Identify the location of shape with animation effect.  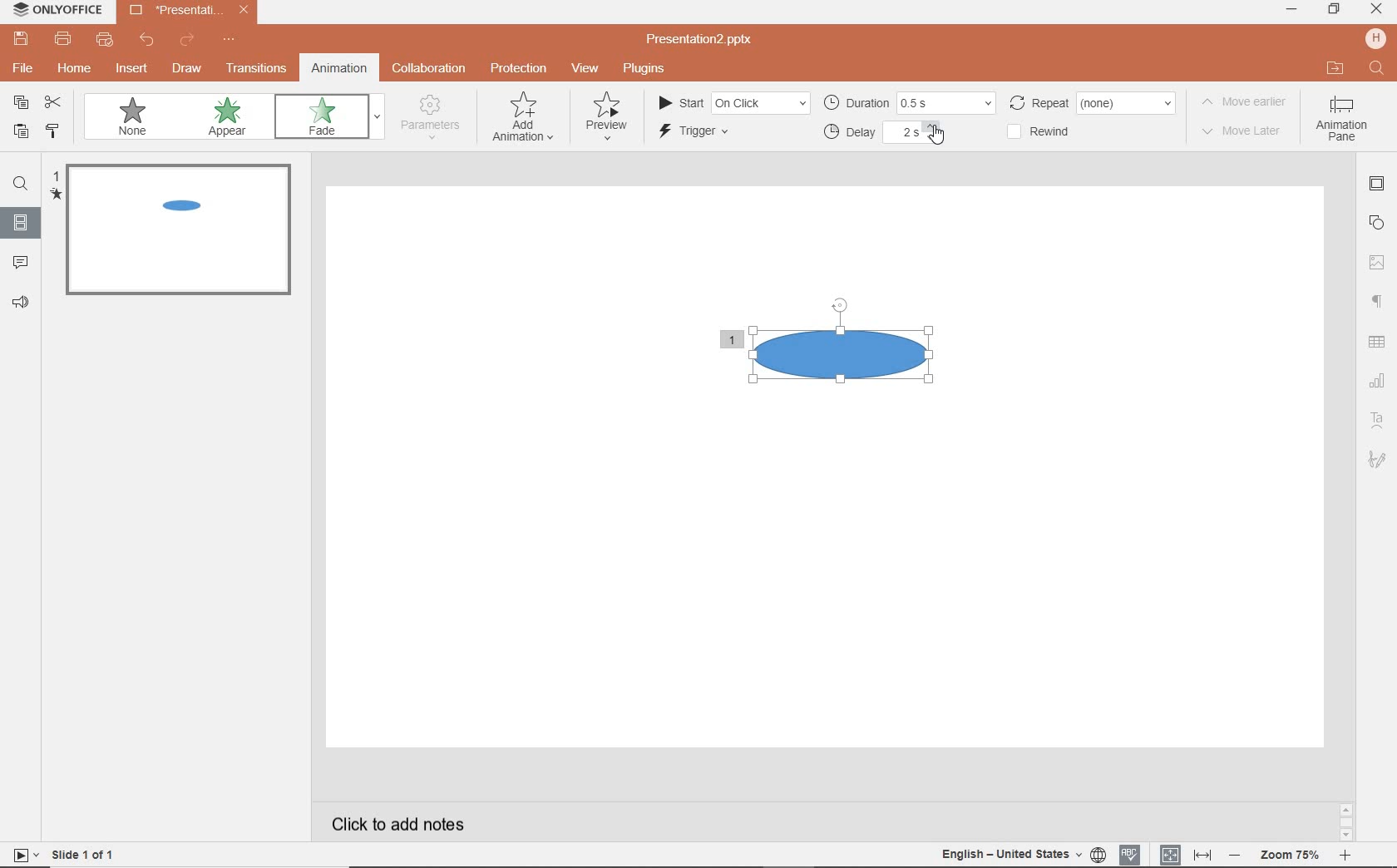
(842, 351).